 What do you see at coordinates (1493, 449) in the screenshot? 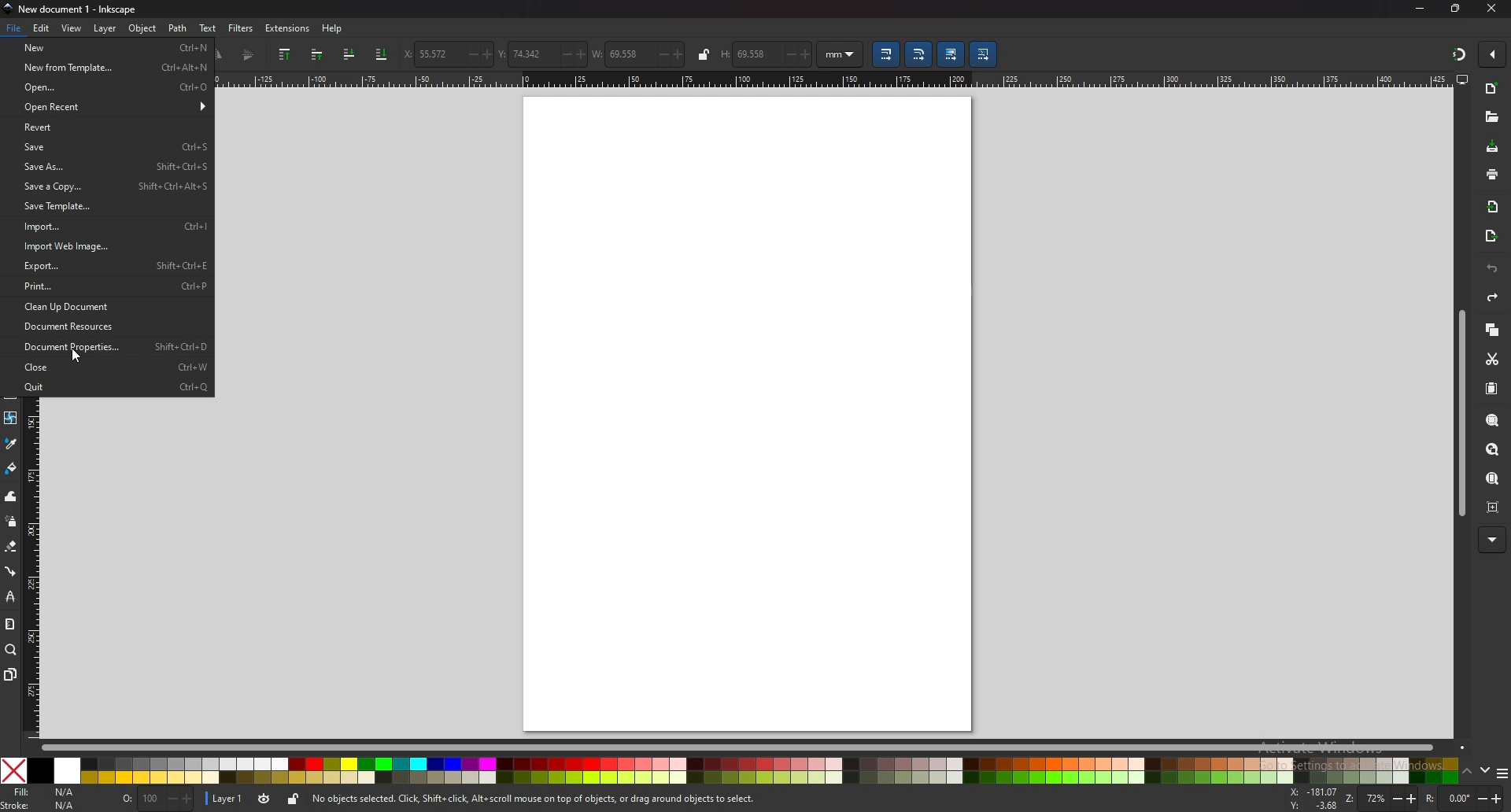
I see `zoom drawing` at bounding box center [1493, 449].